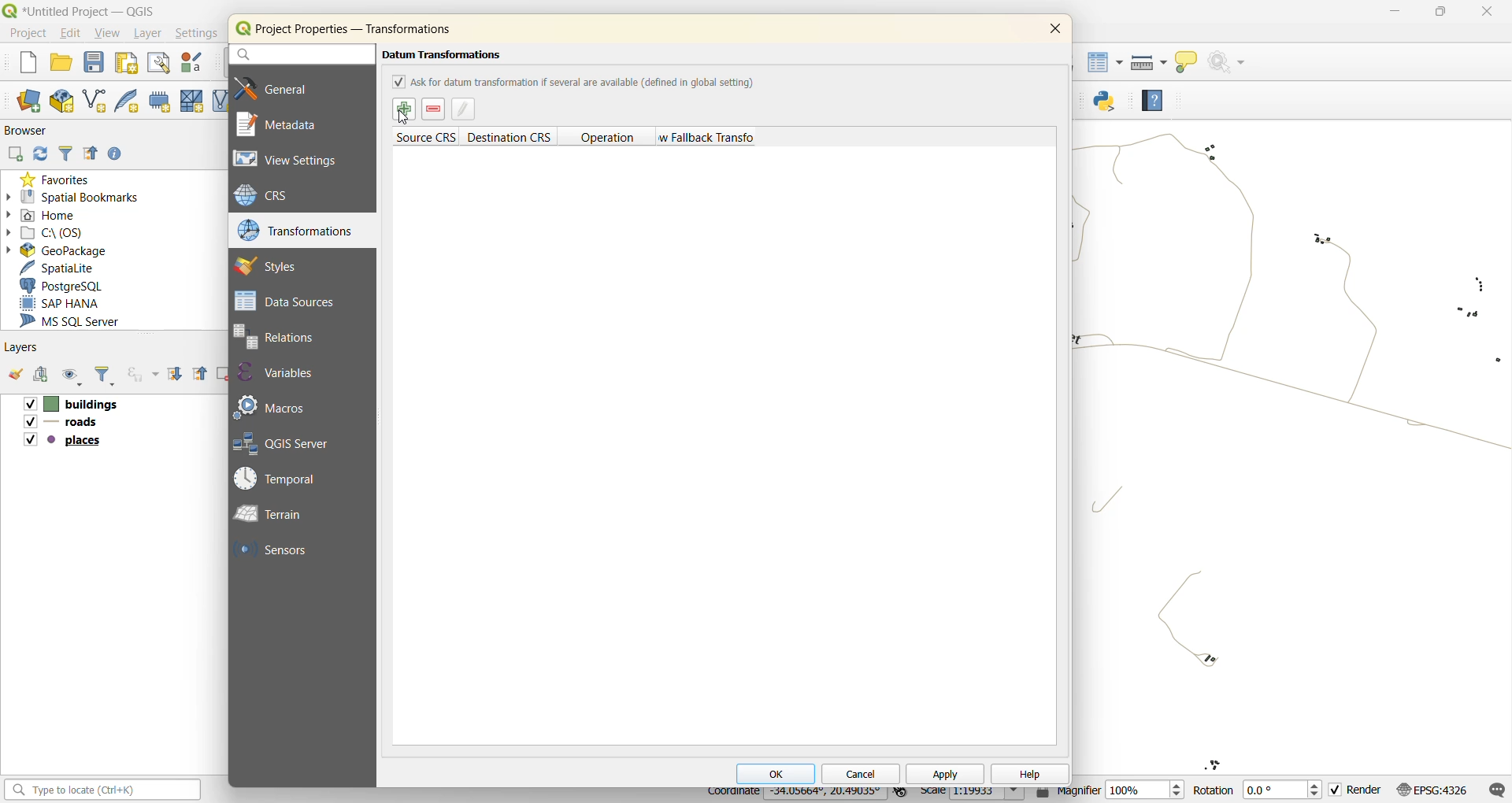 Image resolution: width=1512 pixels, height=803 pixels. I want to click on toggle extents, so click(906, 794).